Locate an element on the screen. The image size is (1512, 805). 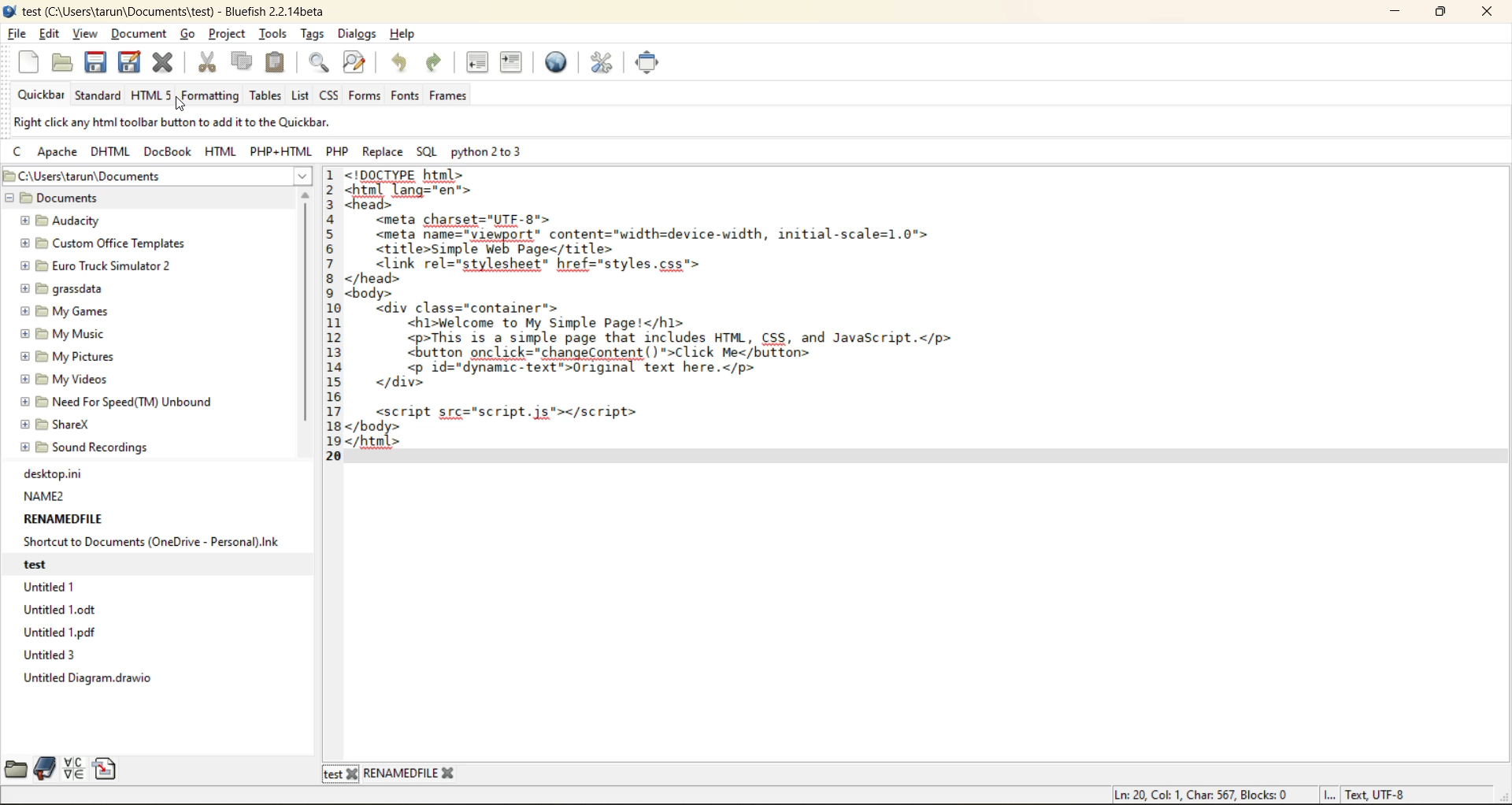
@® [9 Euro Truck Simulator 2 is located at coordinates (96, 265).